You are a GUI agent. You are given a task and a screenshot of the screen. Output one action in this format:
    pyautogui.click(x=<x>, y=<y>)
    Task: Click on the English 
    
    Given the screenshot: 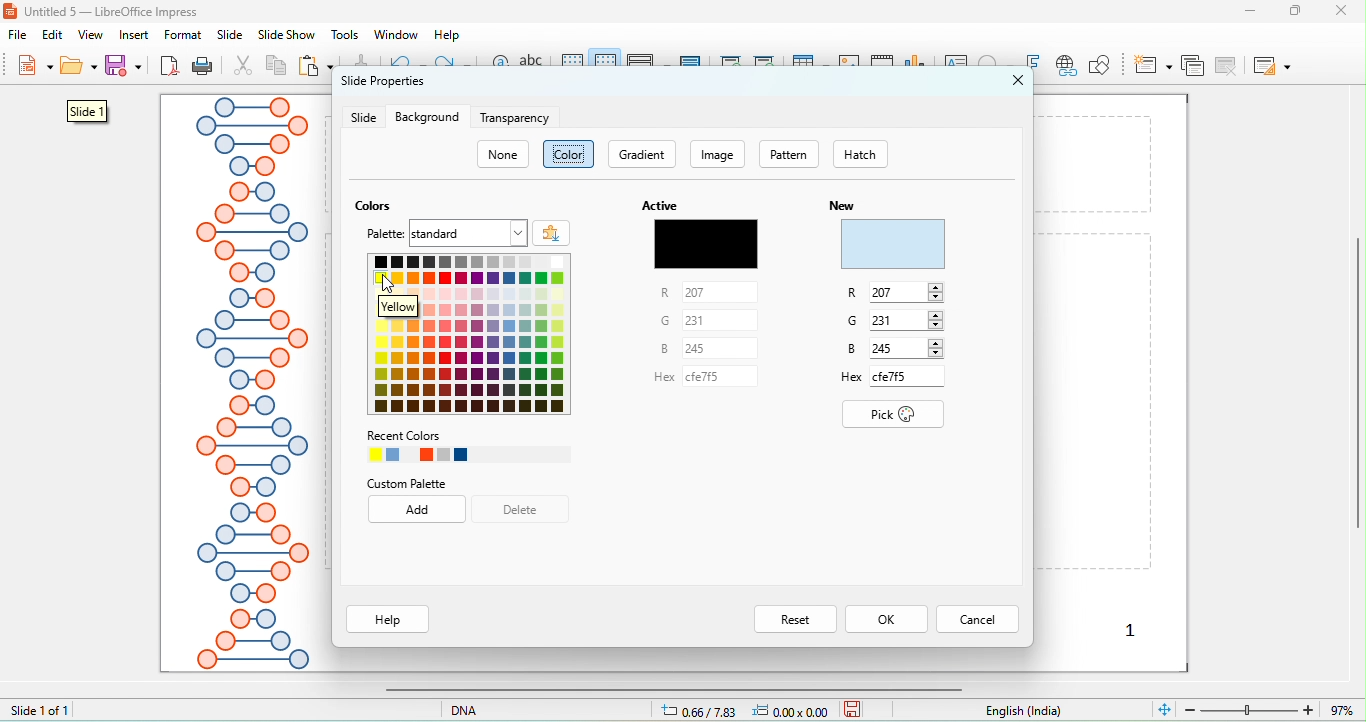 What is the action you would take?
    pyautogui.click(x=1035, y=711)
    